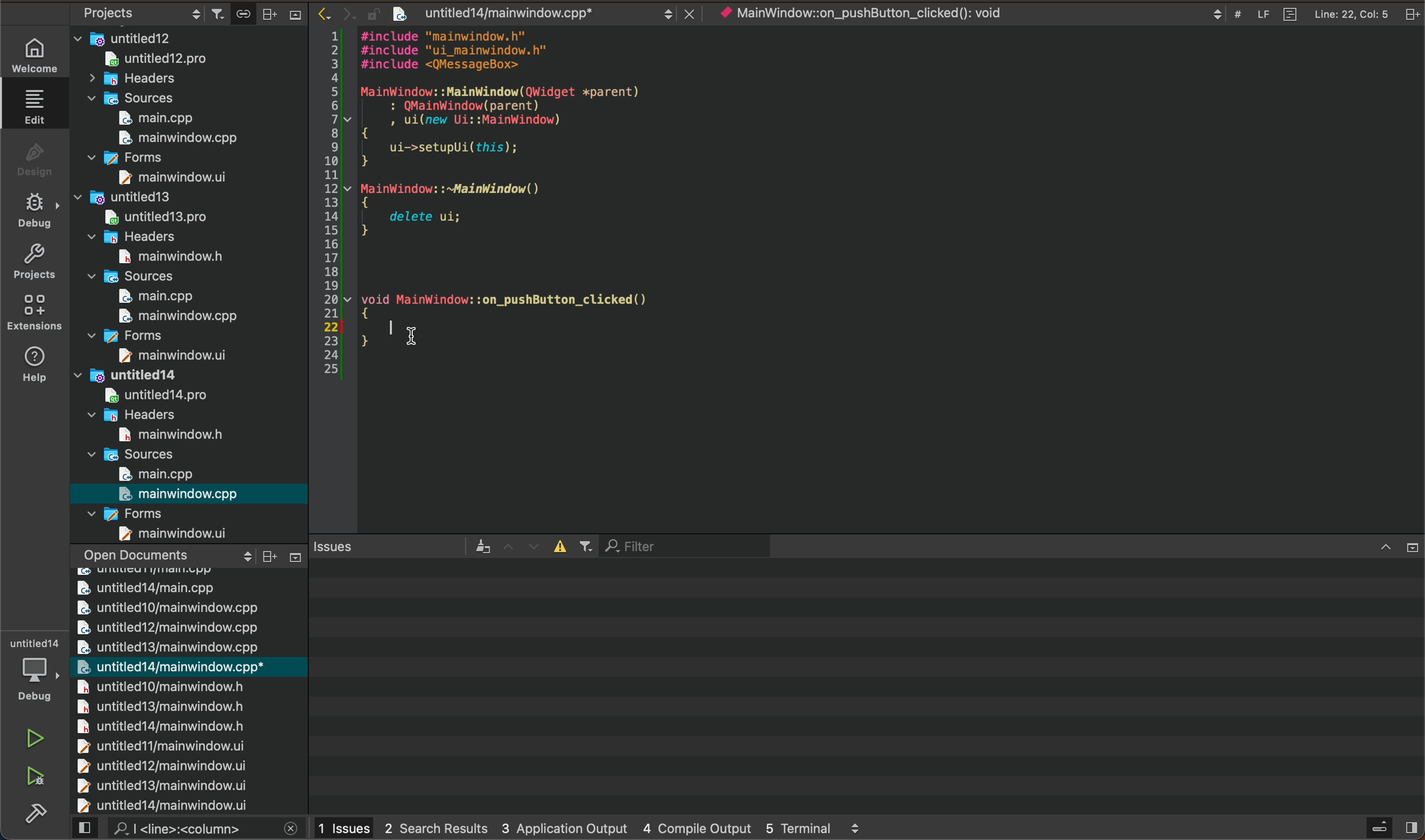  What do you see at coordinates (142, 196) in the screenshot?
I see `untitled13` at bounding box center [142, 196].